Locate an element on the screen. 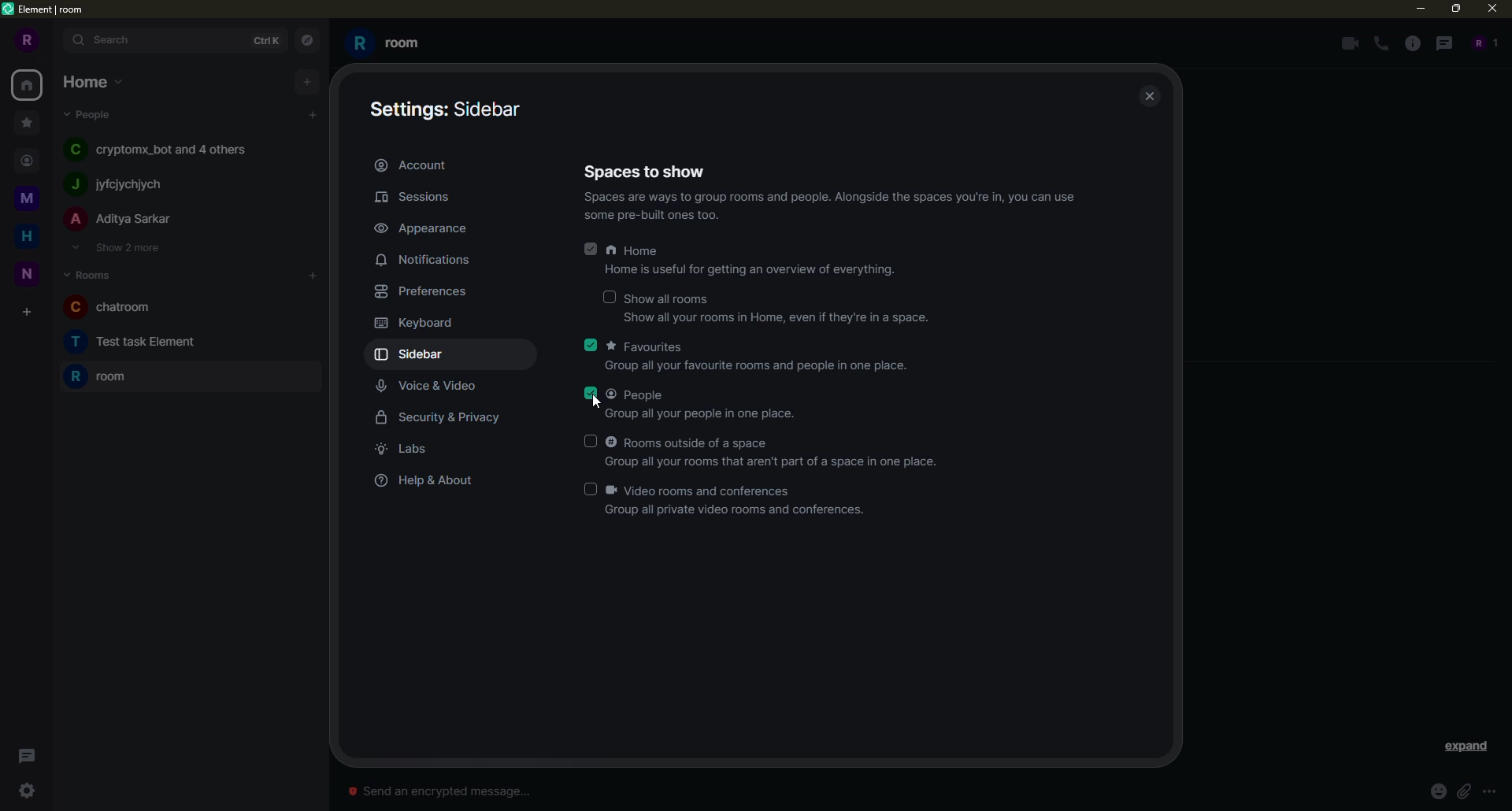  ctrlK is located at coordinates (268, 41).